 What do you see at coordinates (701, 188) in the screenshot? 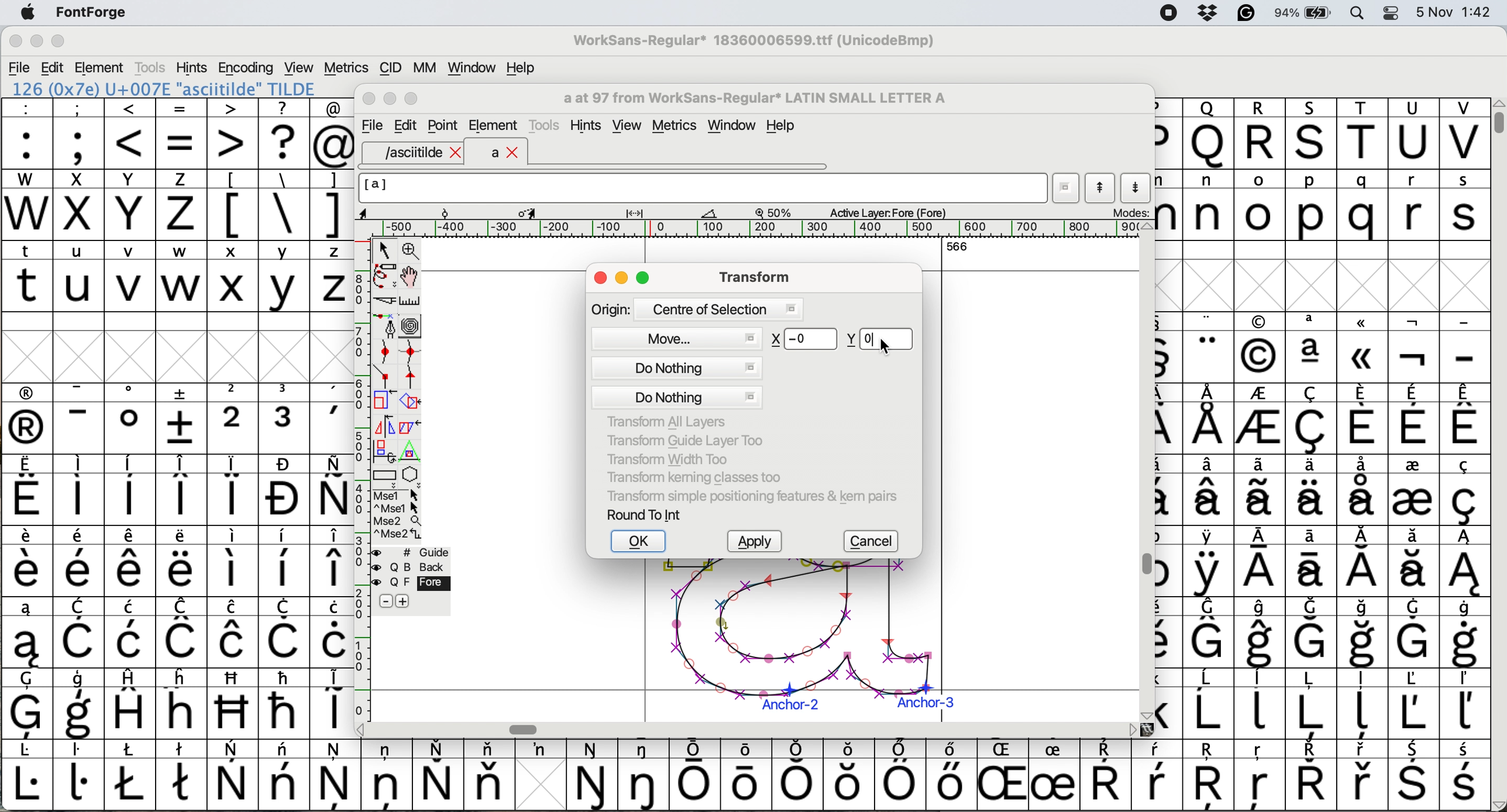
I see `glyph name` at bounding box center [701, 188].